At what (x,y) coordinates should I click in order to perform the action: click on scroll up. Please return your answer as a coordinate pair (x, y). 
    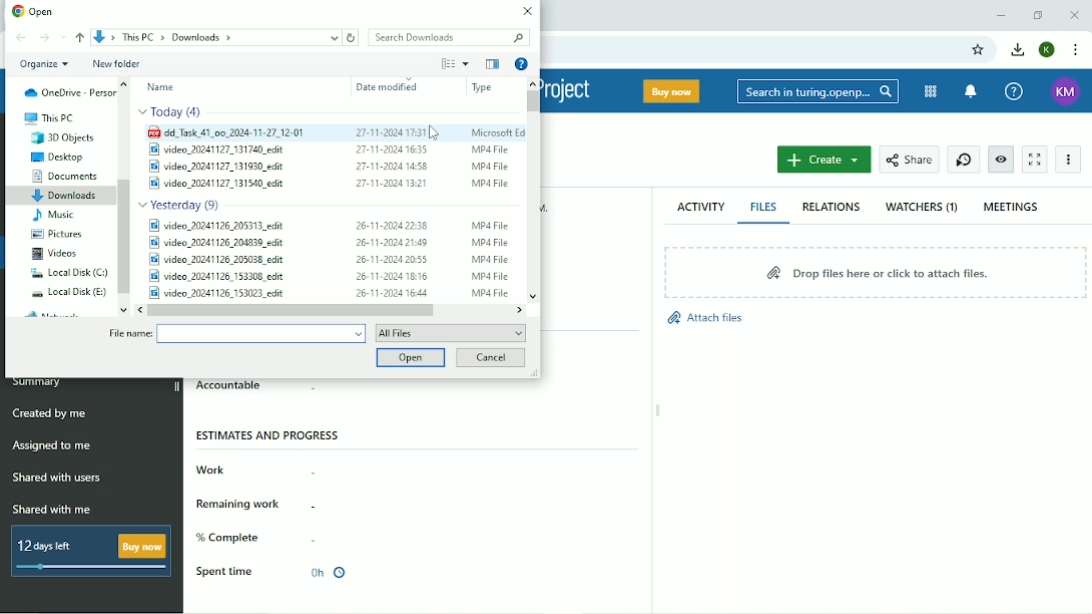
    Looking at the image, I should click on (125, 83).